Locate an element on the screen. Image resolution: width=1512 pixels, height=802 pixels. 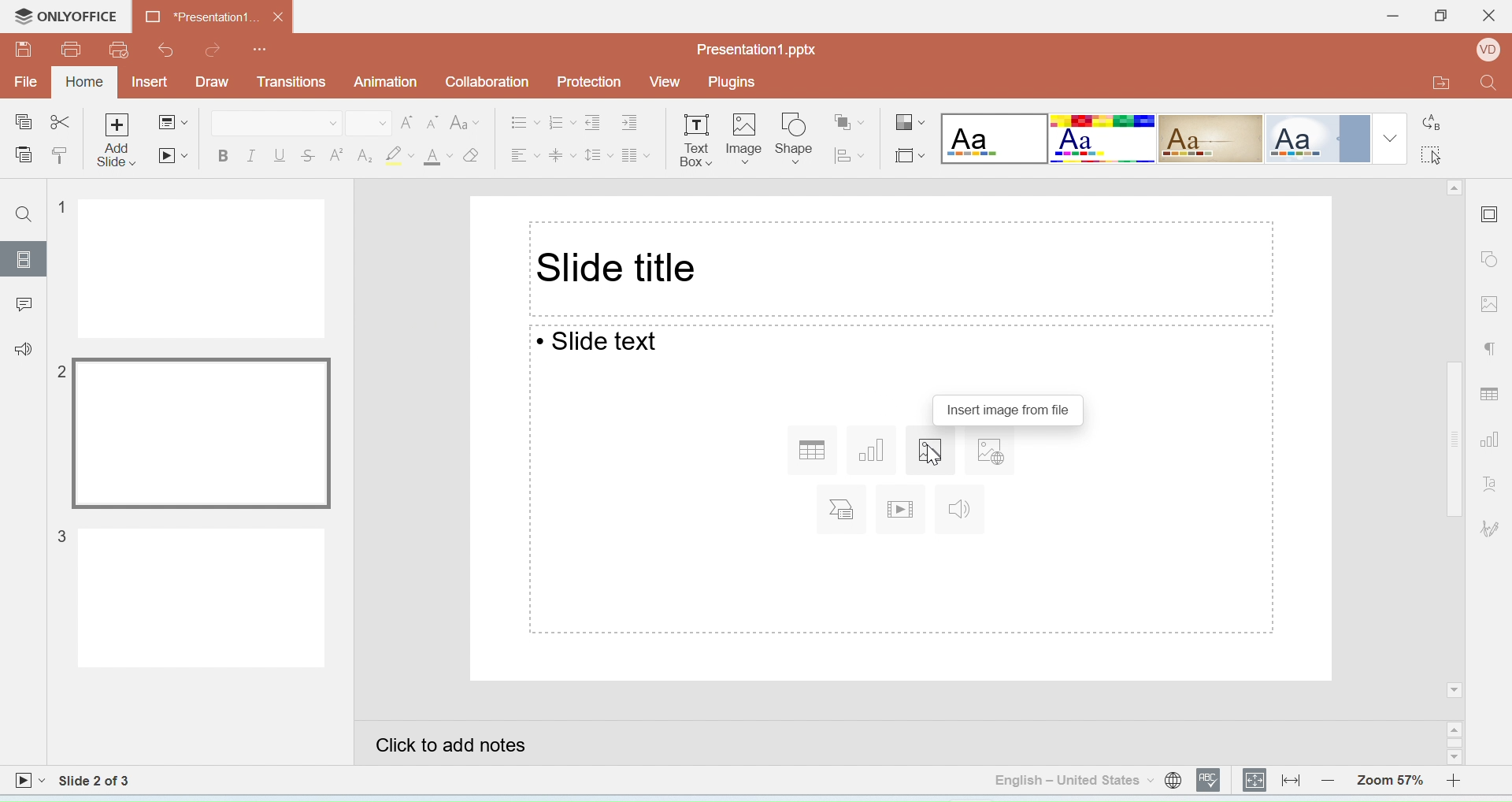
Add slide is located at coordinates (119, 141).